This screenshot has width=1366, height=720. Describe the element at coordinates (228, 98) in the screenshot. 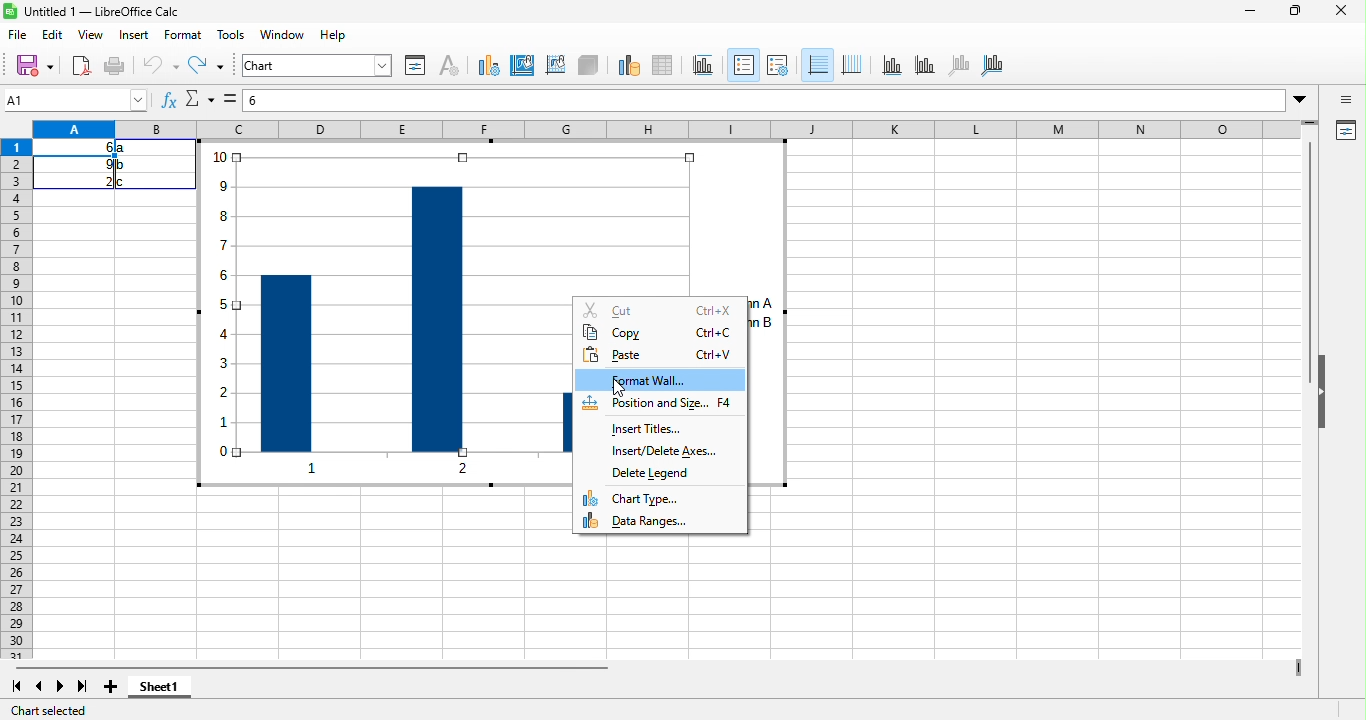

I see `select` at that location.